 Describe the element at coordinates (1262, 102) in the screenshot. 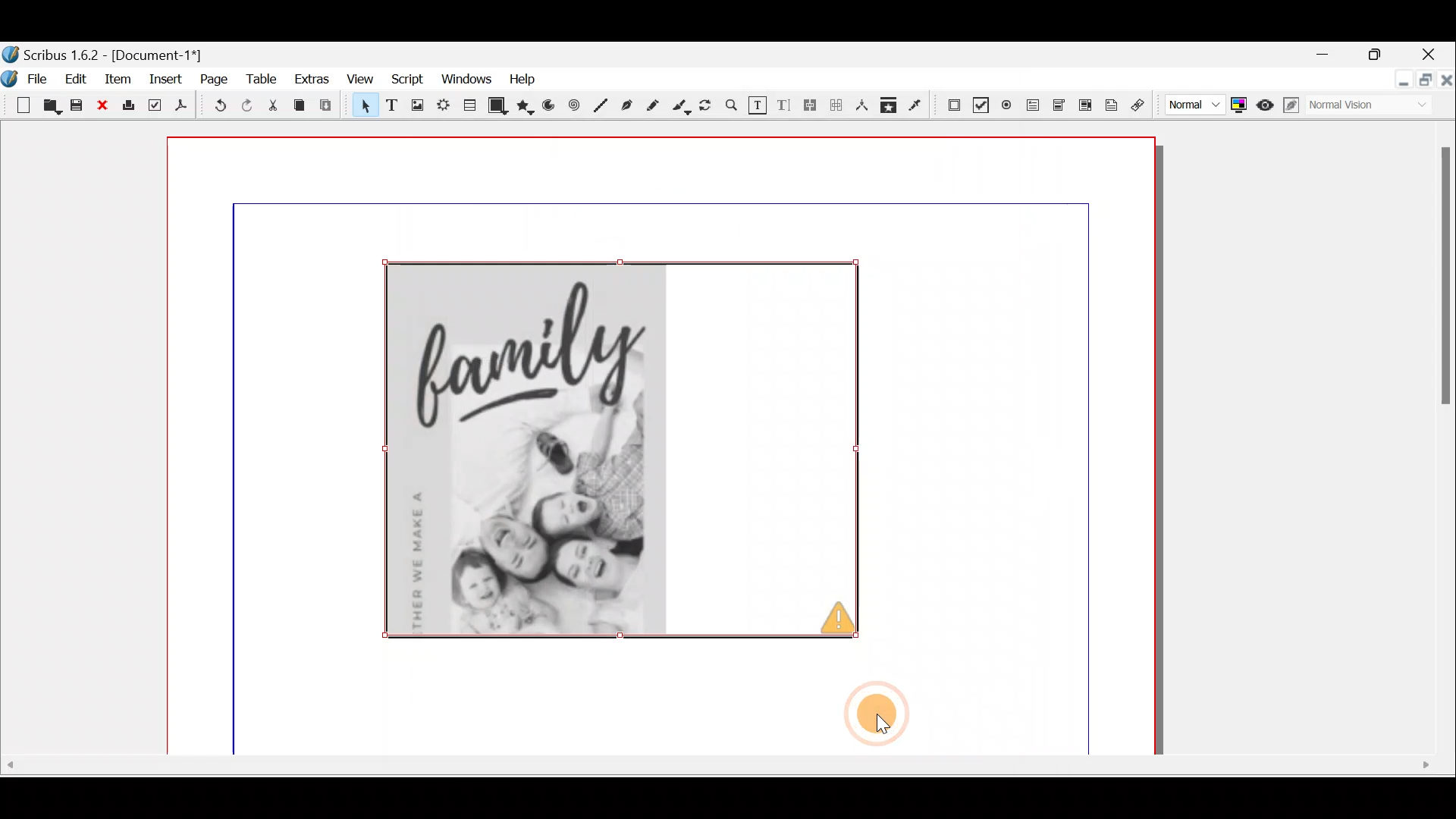

I see `Preview mode` at that location.